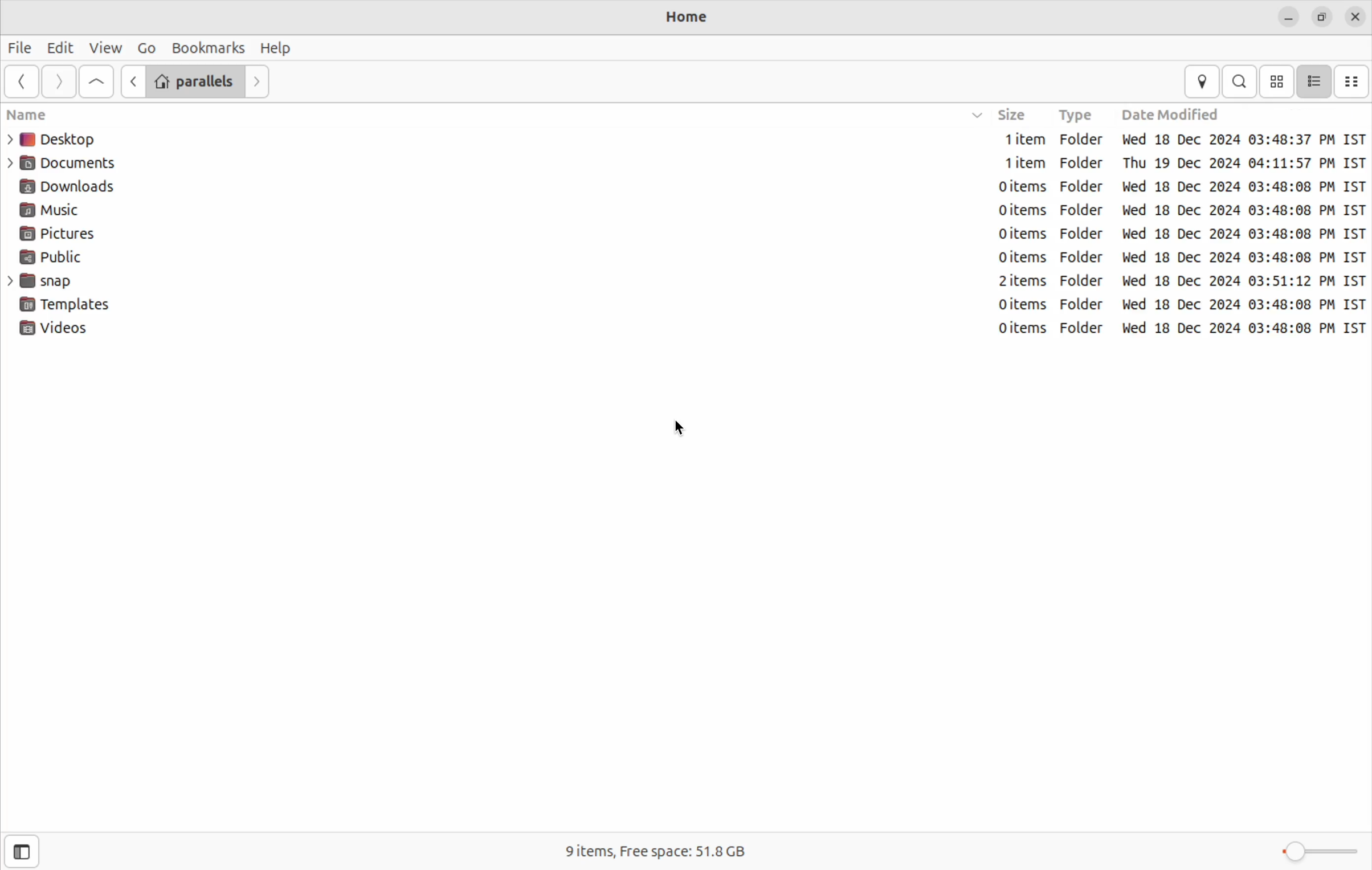 The width and height of the screenshot is (1372, 870). Describe the element at coordinates (661, 851) in the screenshot. I see `9 items free space 56 gb` at that location.